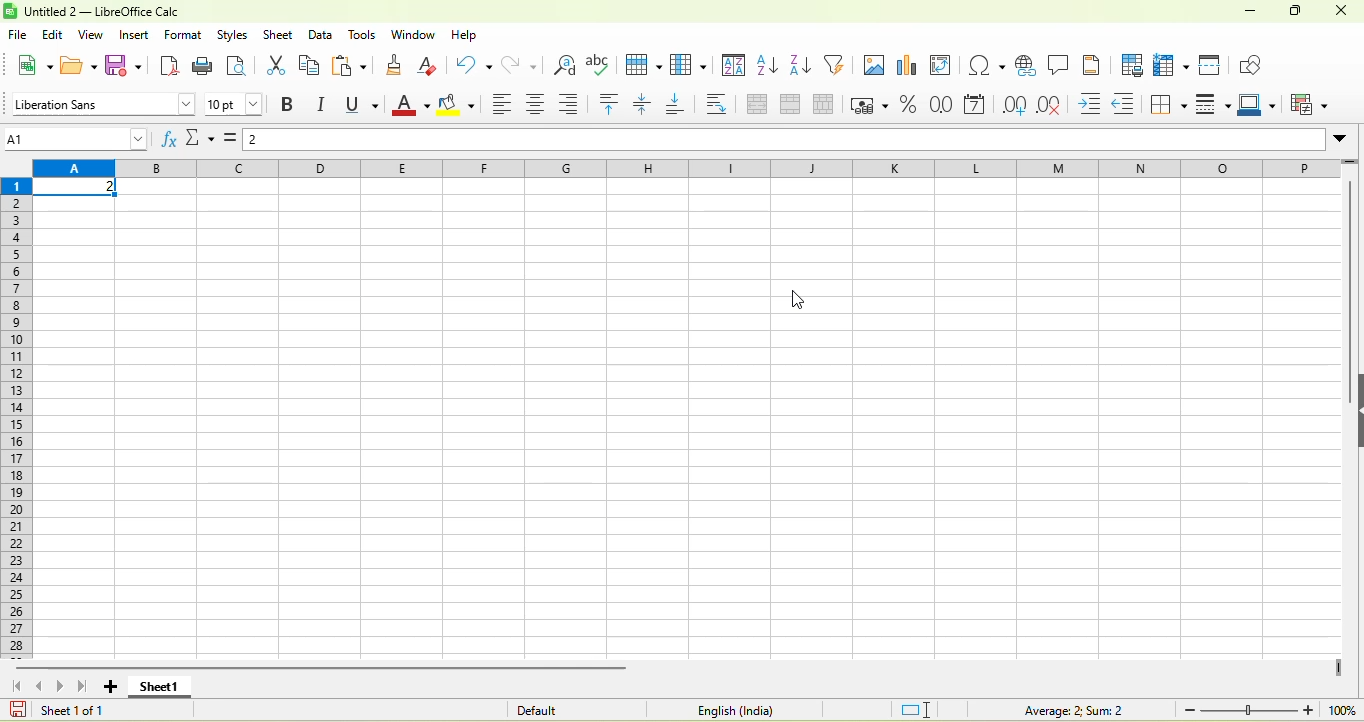  Describe the element at coordinates (525, 64) in the screenshot. I see `redo` at that location.